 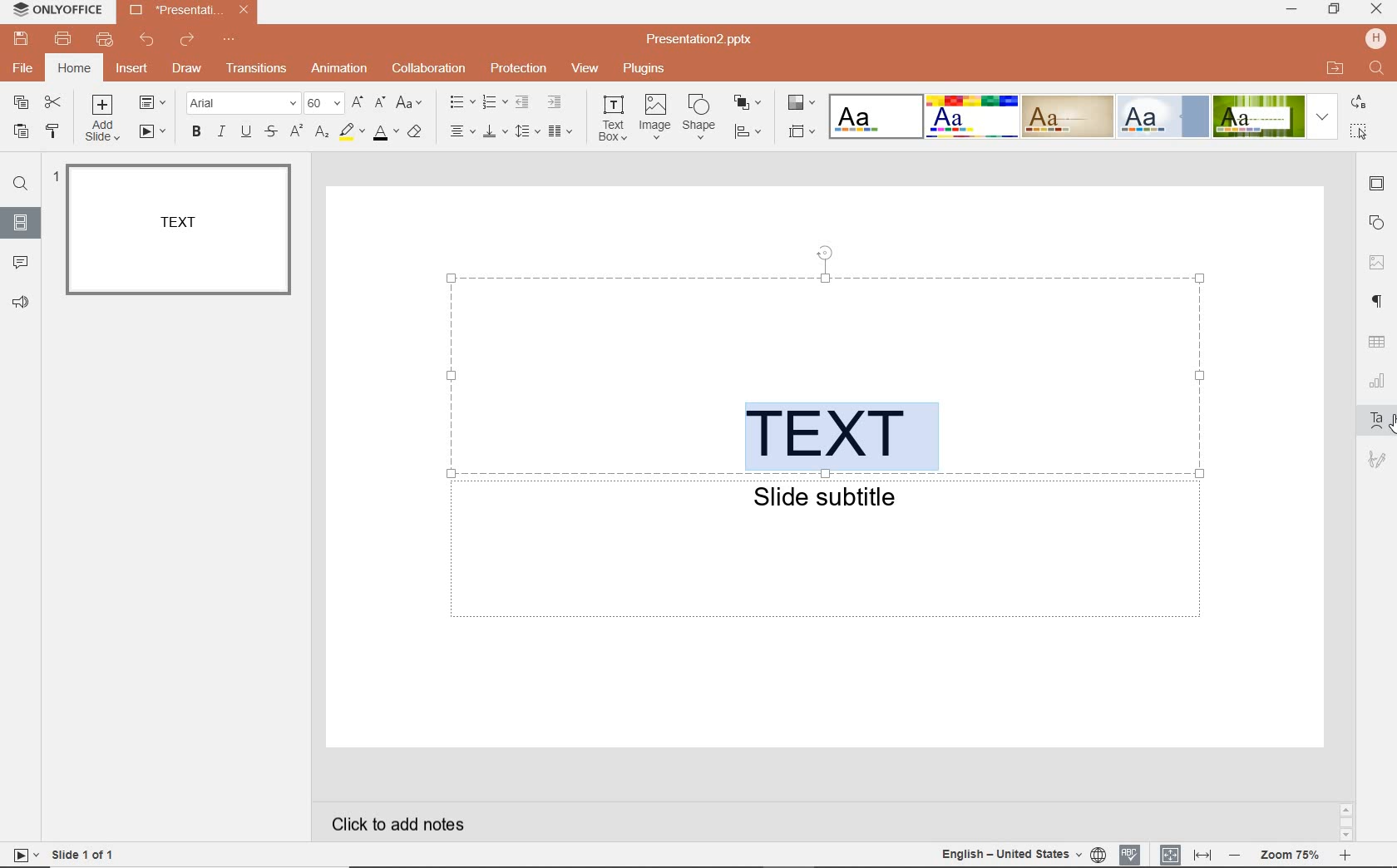 What do you see at coordinates (655, 117) in the screenshot?
I see `image` at bounding box center [655, 117].